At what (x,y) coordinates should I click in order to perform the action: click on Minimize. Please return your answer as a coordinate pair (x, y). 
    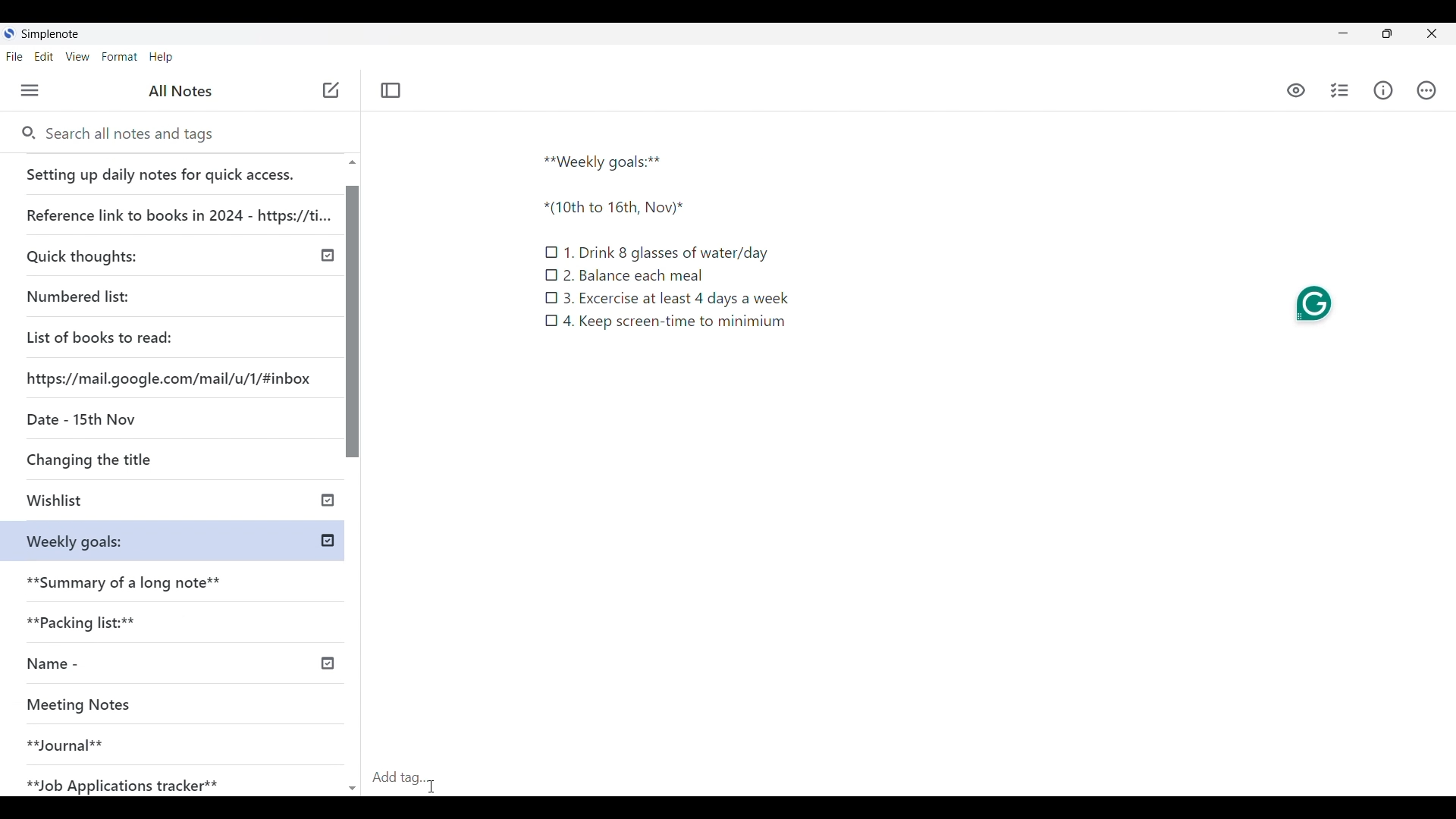
    Looking at the image, I should click on (1343, 33).